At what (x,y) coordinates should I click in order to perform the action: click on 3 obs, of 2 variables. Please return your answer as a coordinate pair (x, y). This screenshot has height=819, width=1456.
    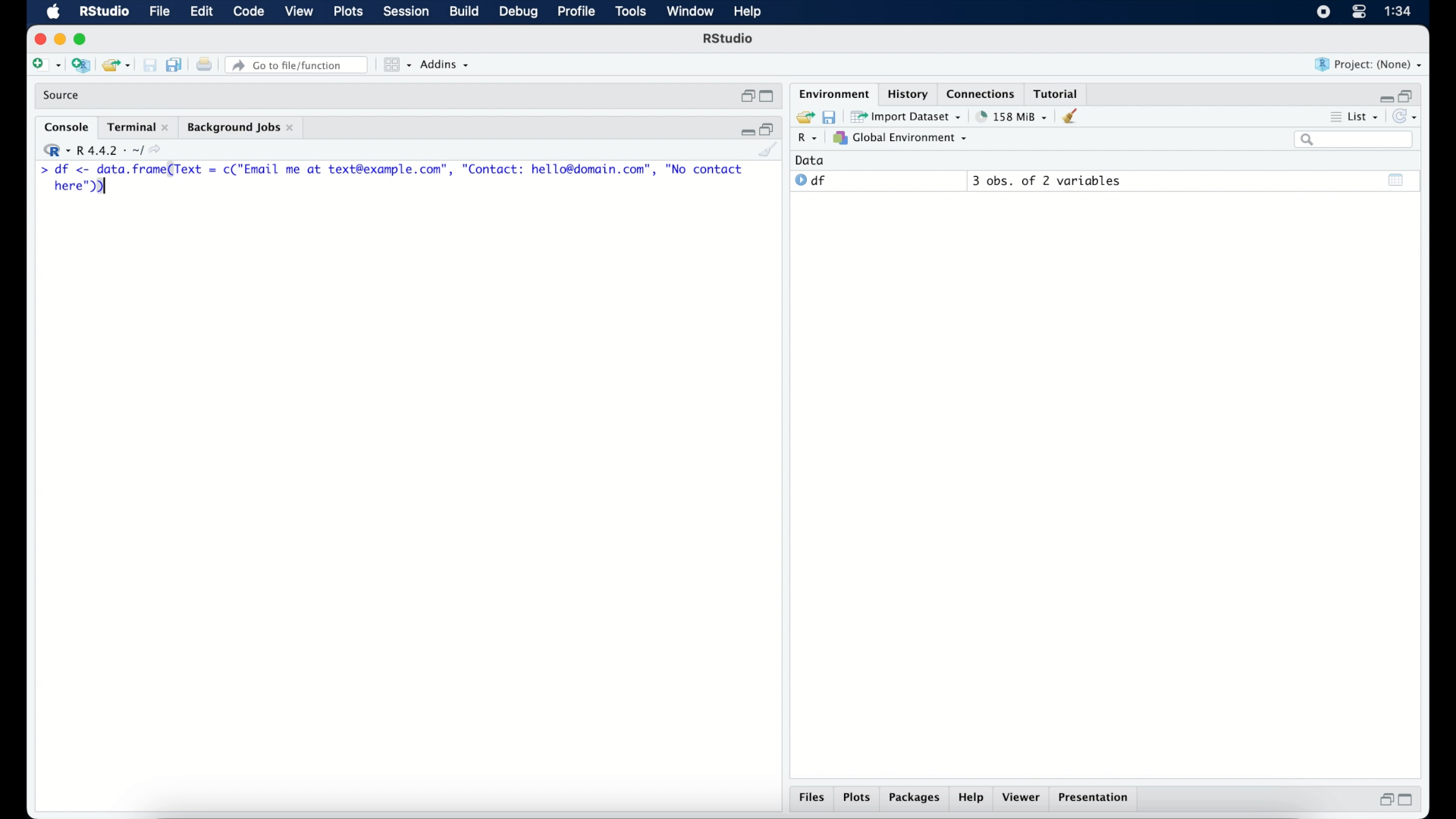
    Looking at the image, I should click on (1047, 180).